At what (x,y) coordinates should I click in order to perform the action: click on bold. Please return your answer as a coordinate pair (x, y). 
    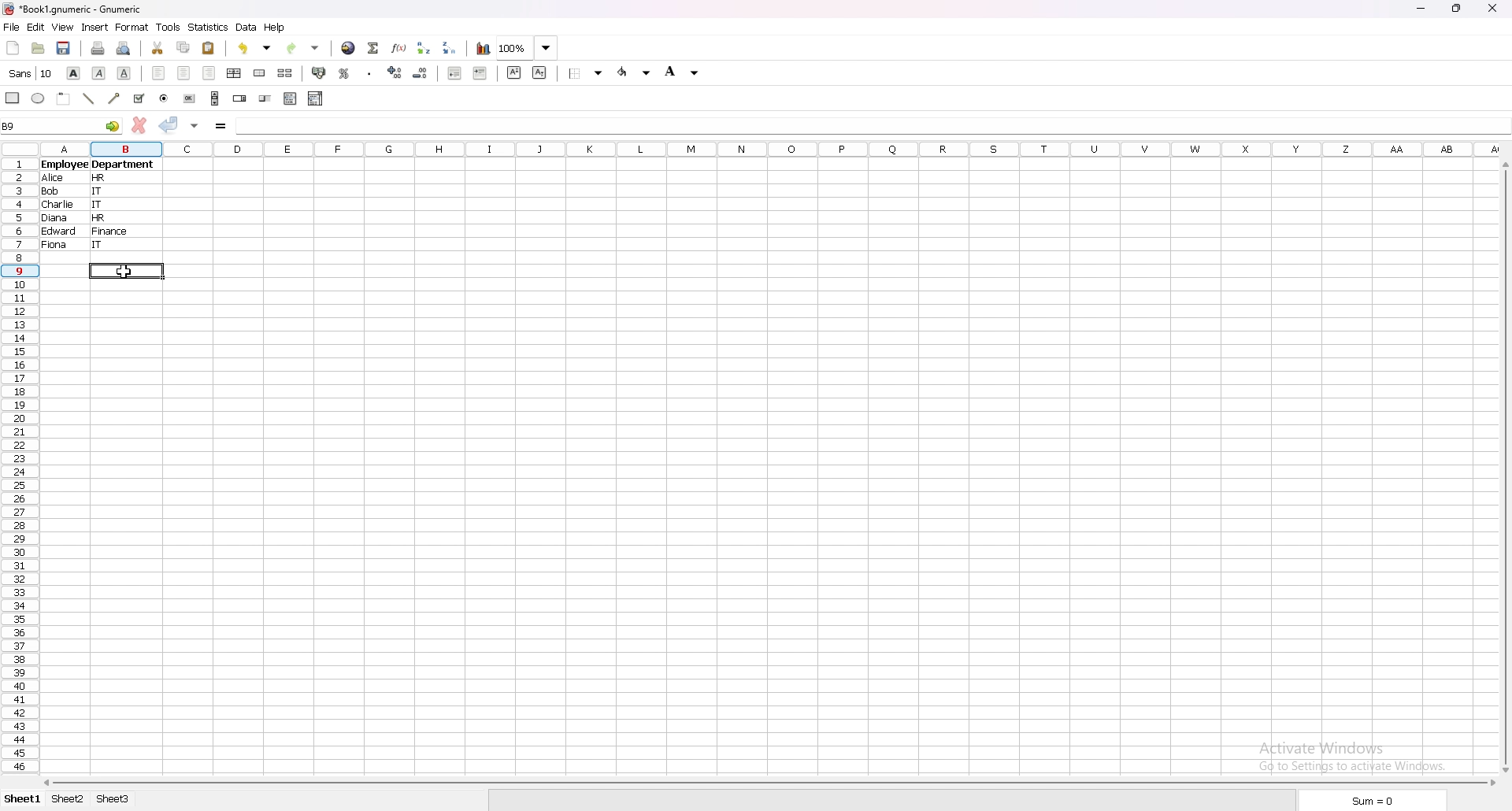
    Looking at the image, I should click on (73, 72).